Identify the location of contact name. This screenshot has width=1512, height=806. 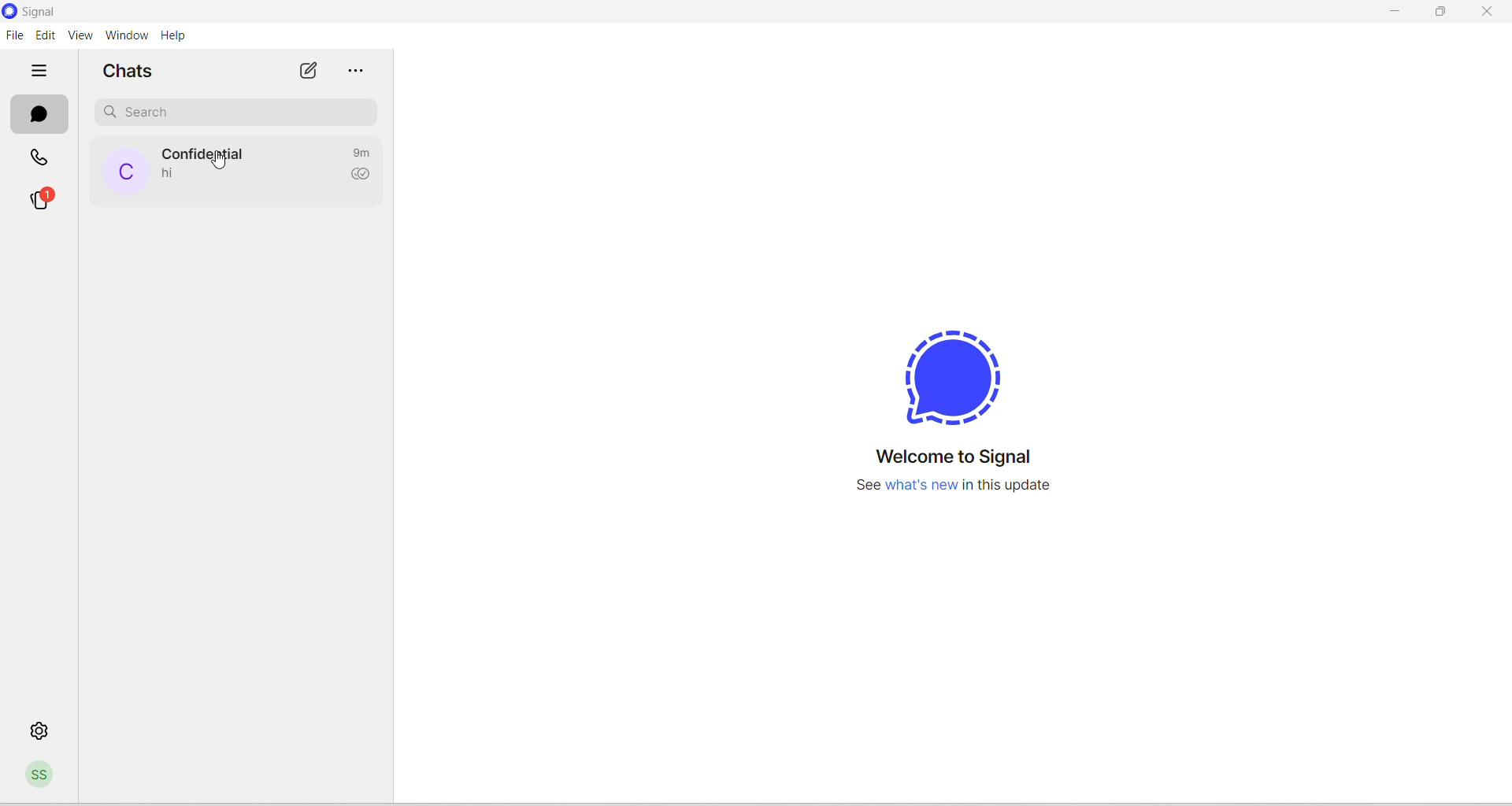
(209, 153).